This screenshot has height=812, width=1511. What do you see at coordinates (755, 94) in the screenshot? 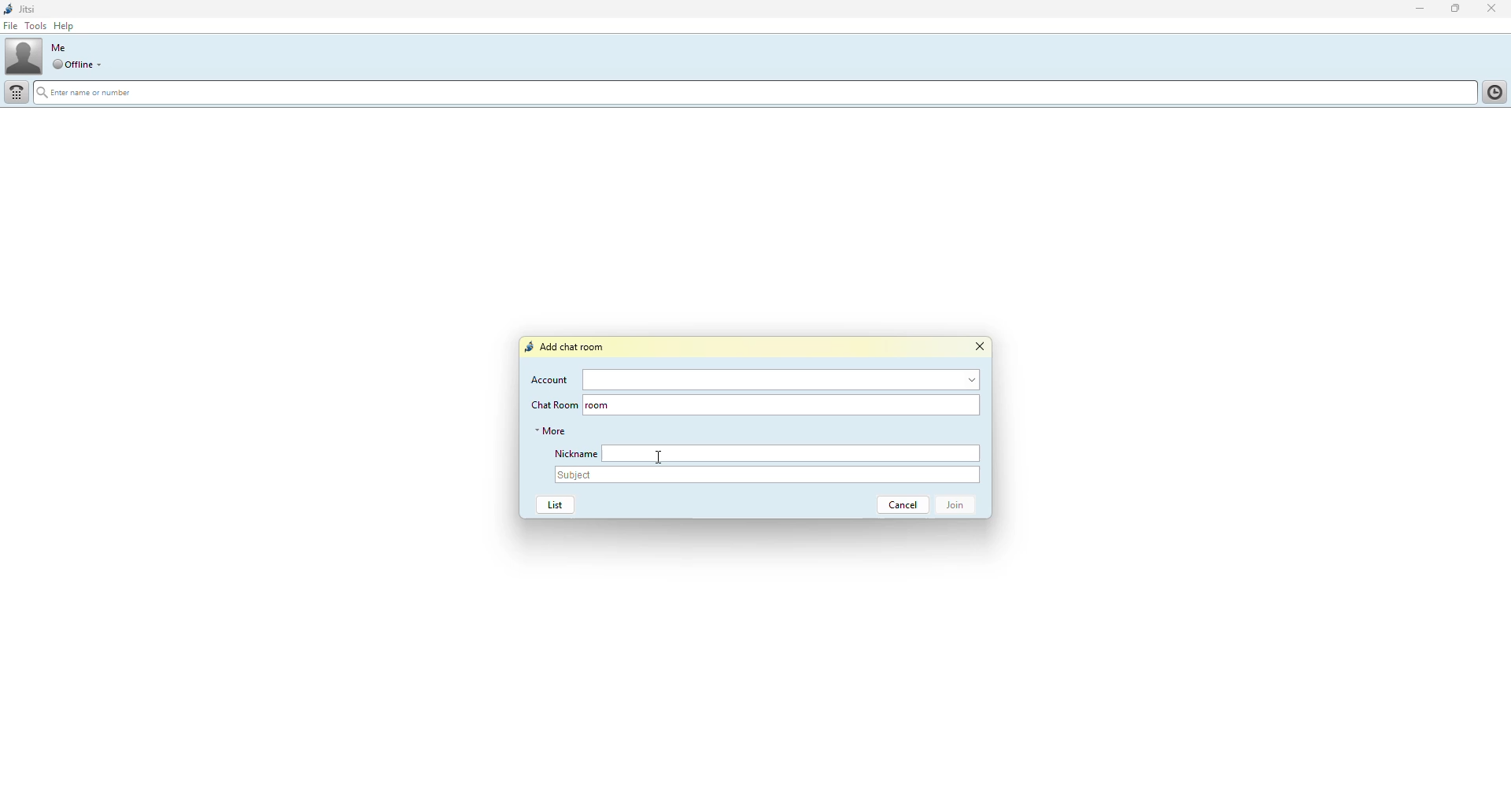
I see `search name` at bounding box center [755, 94].